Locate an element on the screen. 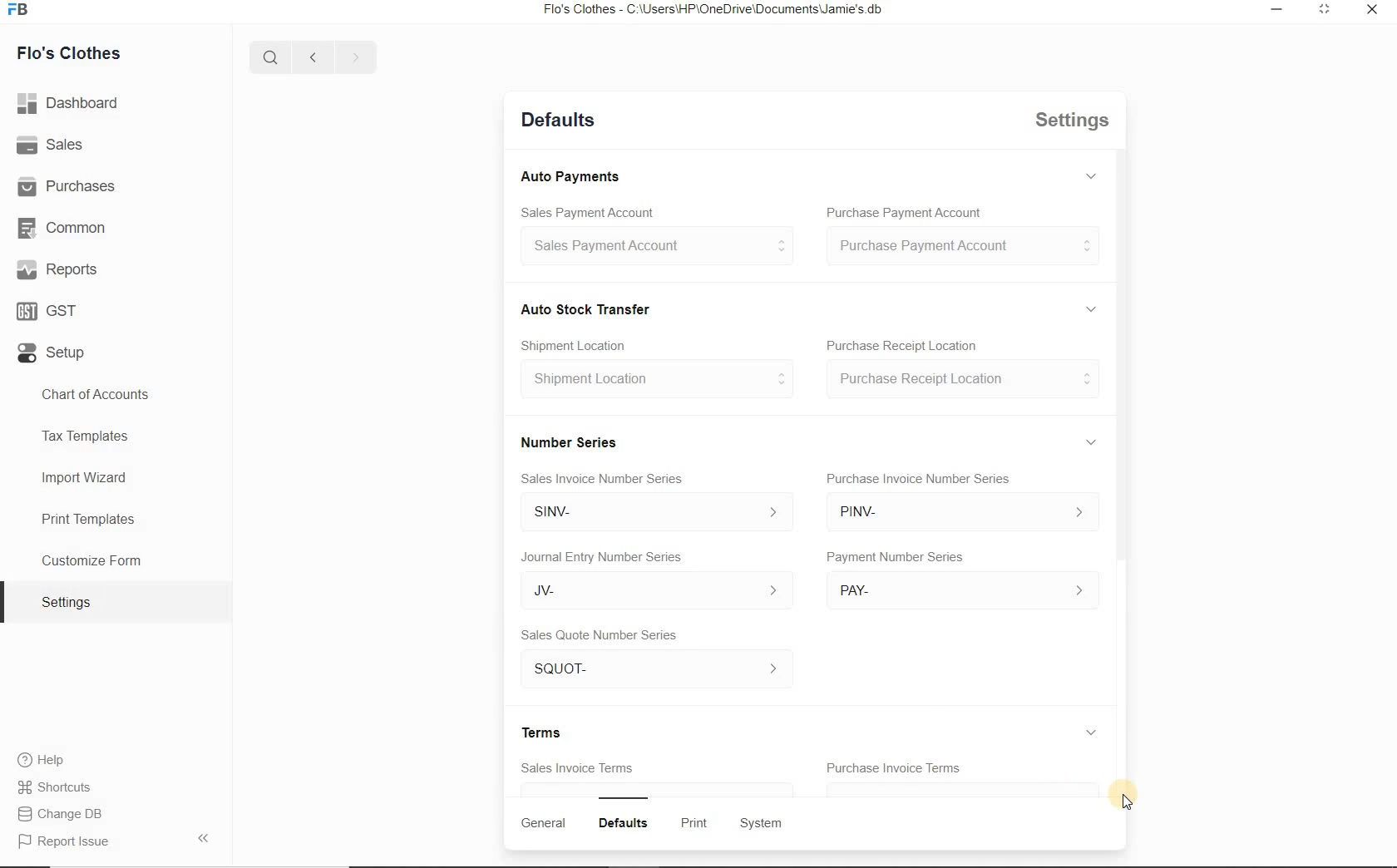  Expand is located at coordinates (1088, 734).